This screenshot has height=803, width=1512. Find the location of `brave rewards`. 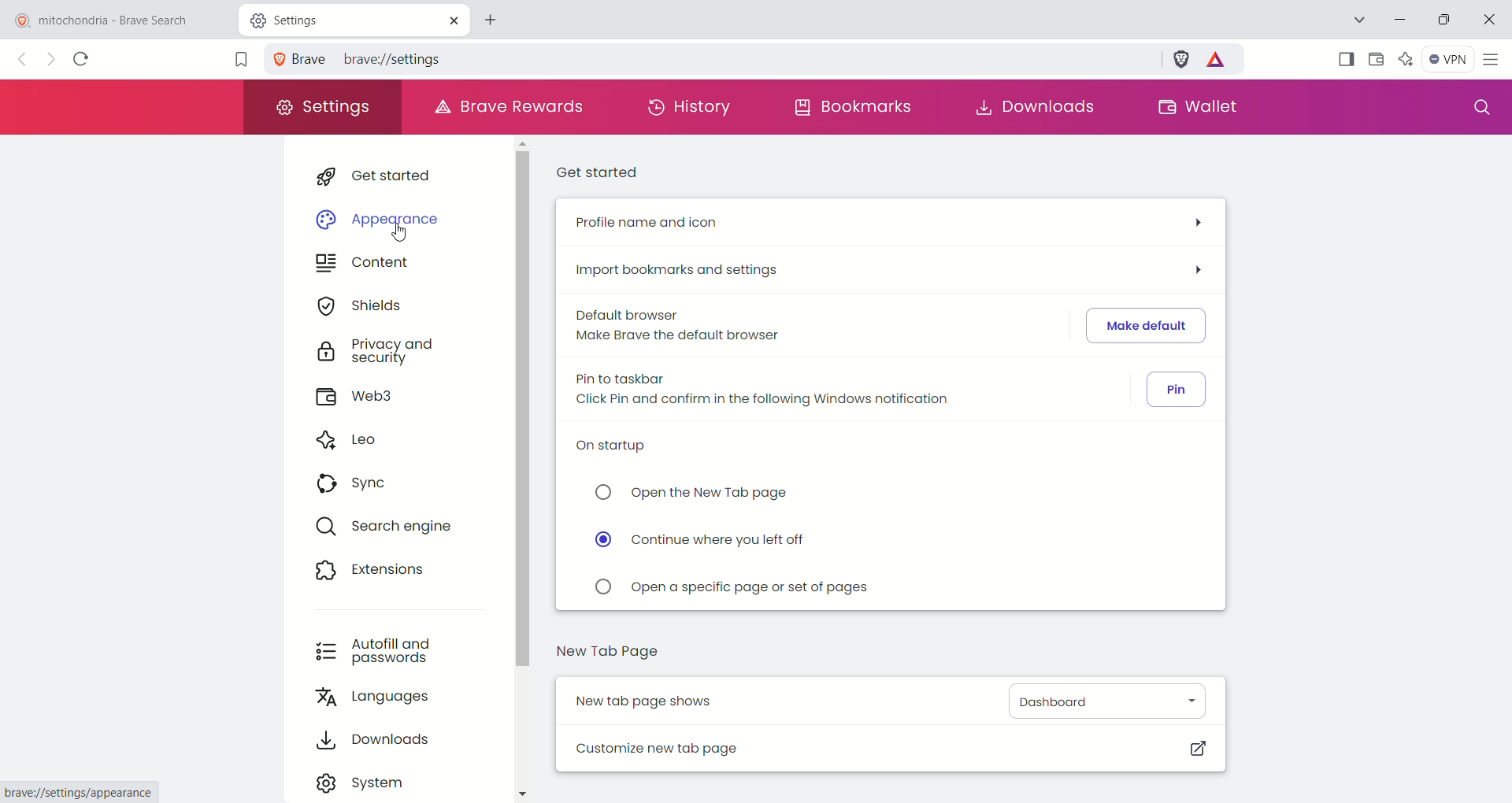

brave rewards is located at coordinates (511, 106).